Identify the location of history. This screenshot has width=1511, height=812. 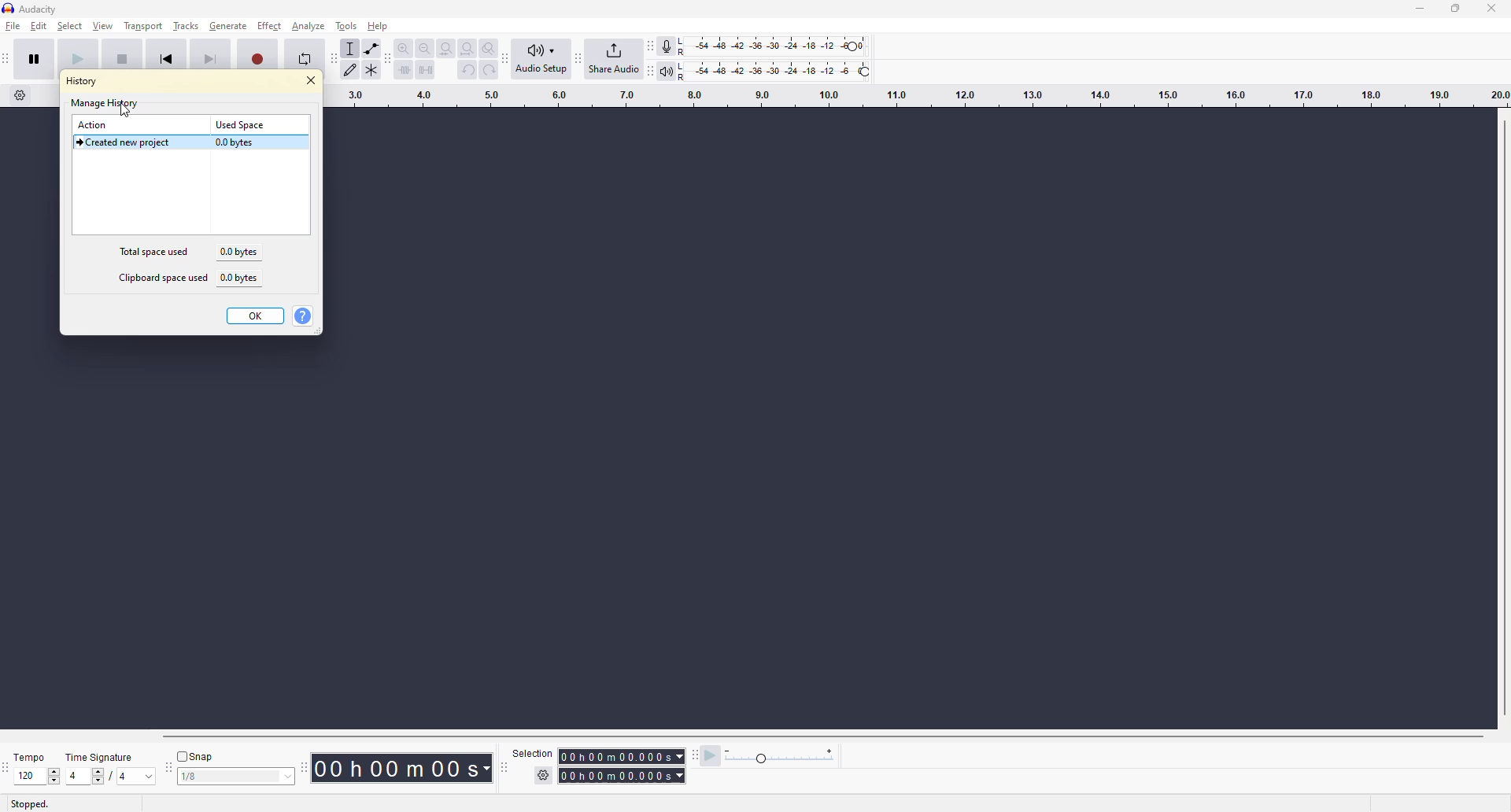
(83, 80).